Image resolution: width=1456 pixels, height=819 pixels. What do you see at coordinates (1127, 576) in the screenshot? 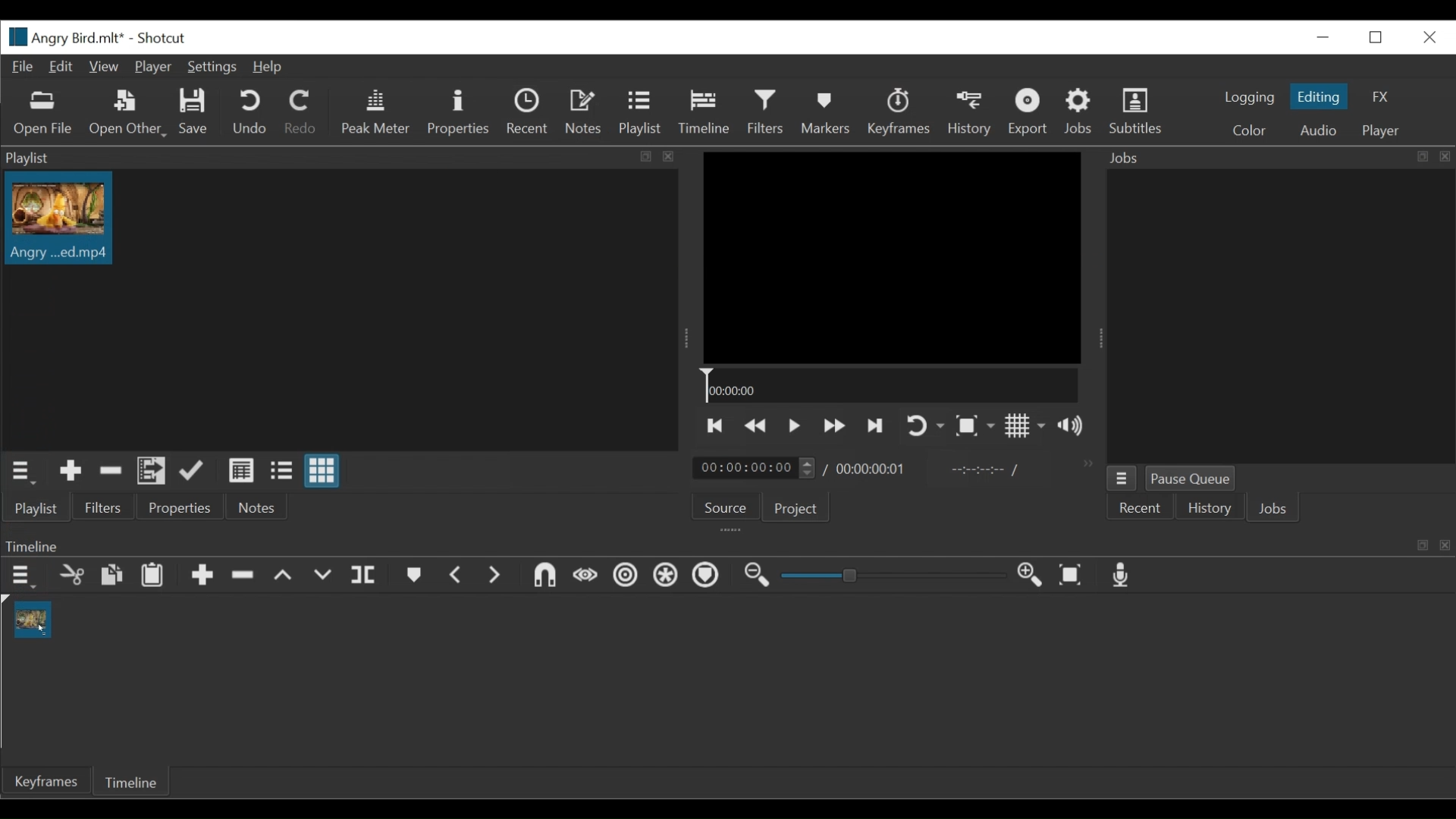
I see `Record audio` at bounding box center [1127, 576].